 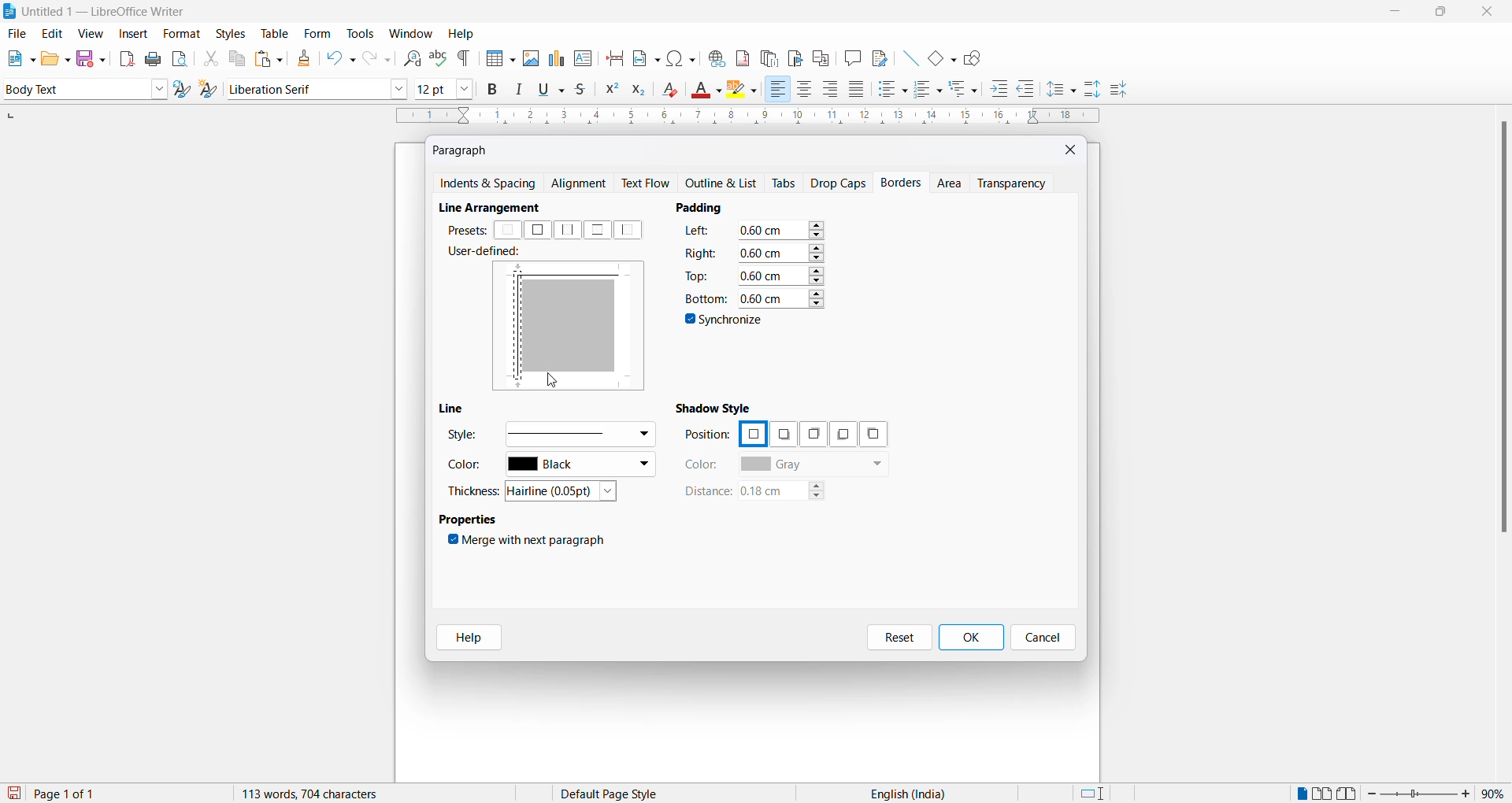 What do you see at coordinates (780, 252) in the screenshot?
I see `value` at bounding box center [780, 252].